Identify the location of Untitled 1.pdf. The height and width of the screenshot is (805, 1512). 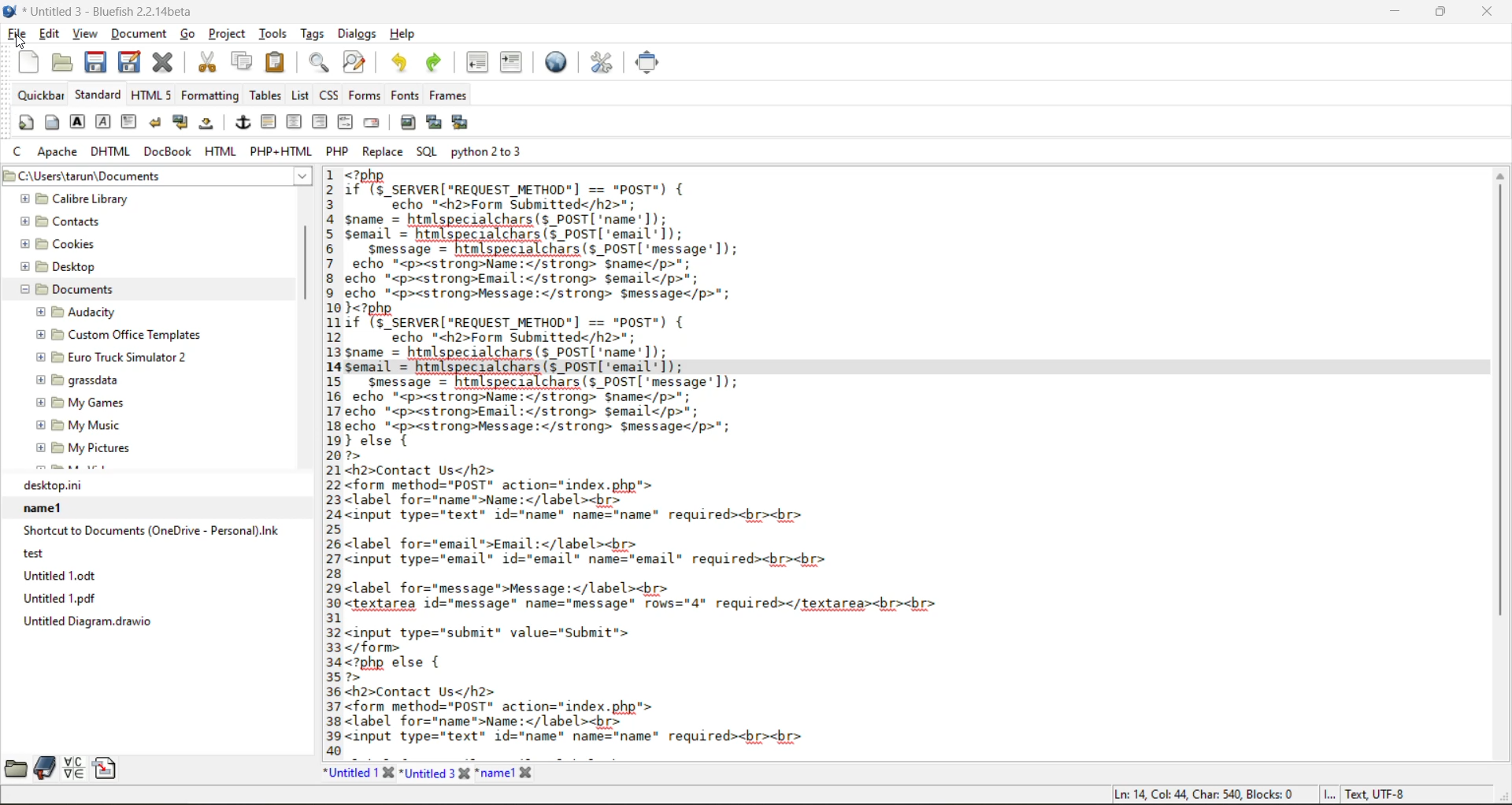
(155, 598).